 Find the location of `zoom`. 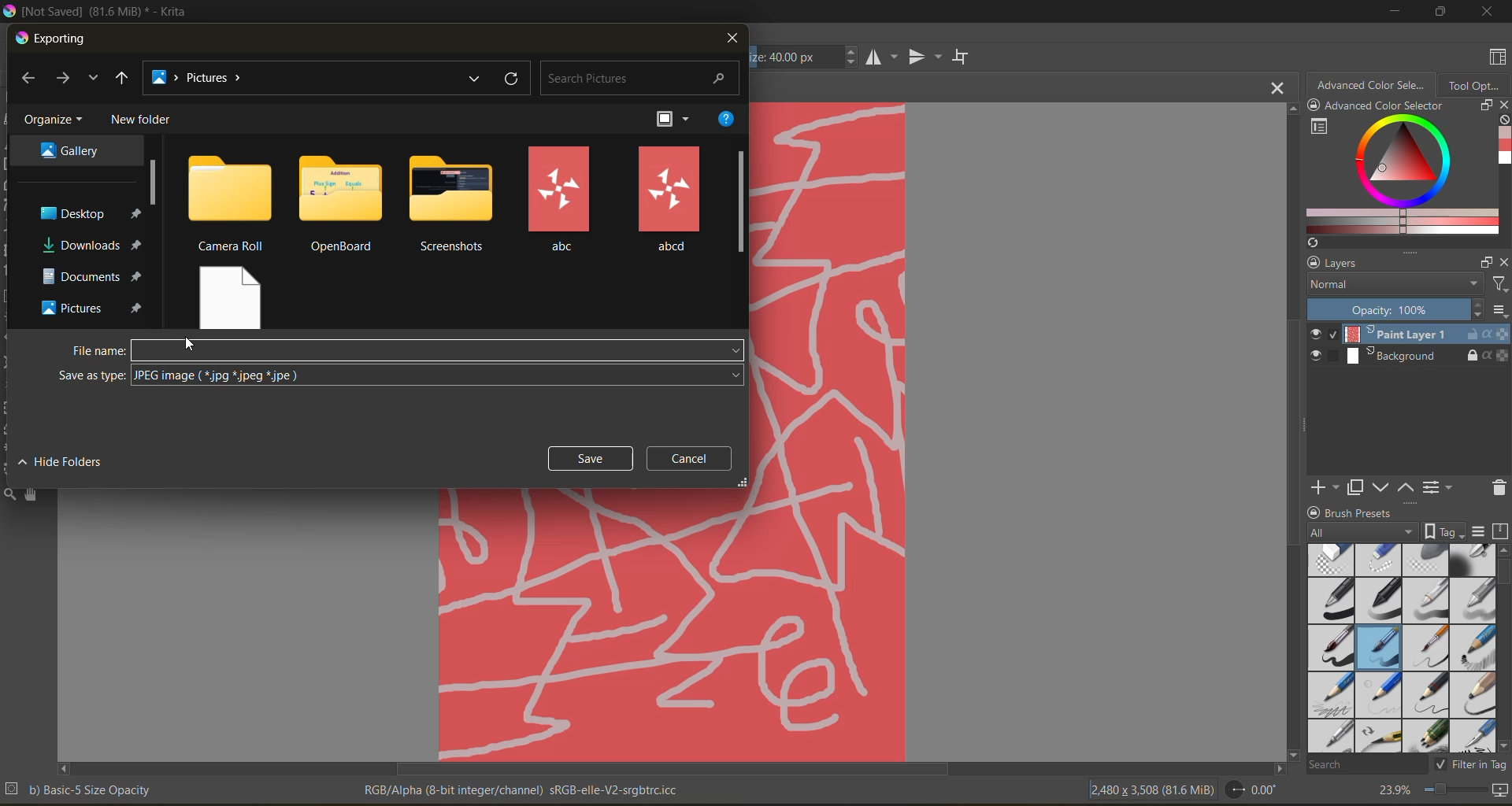

zoom is located at coordinates (1455, 792).